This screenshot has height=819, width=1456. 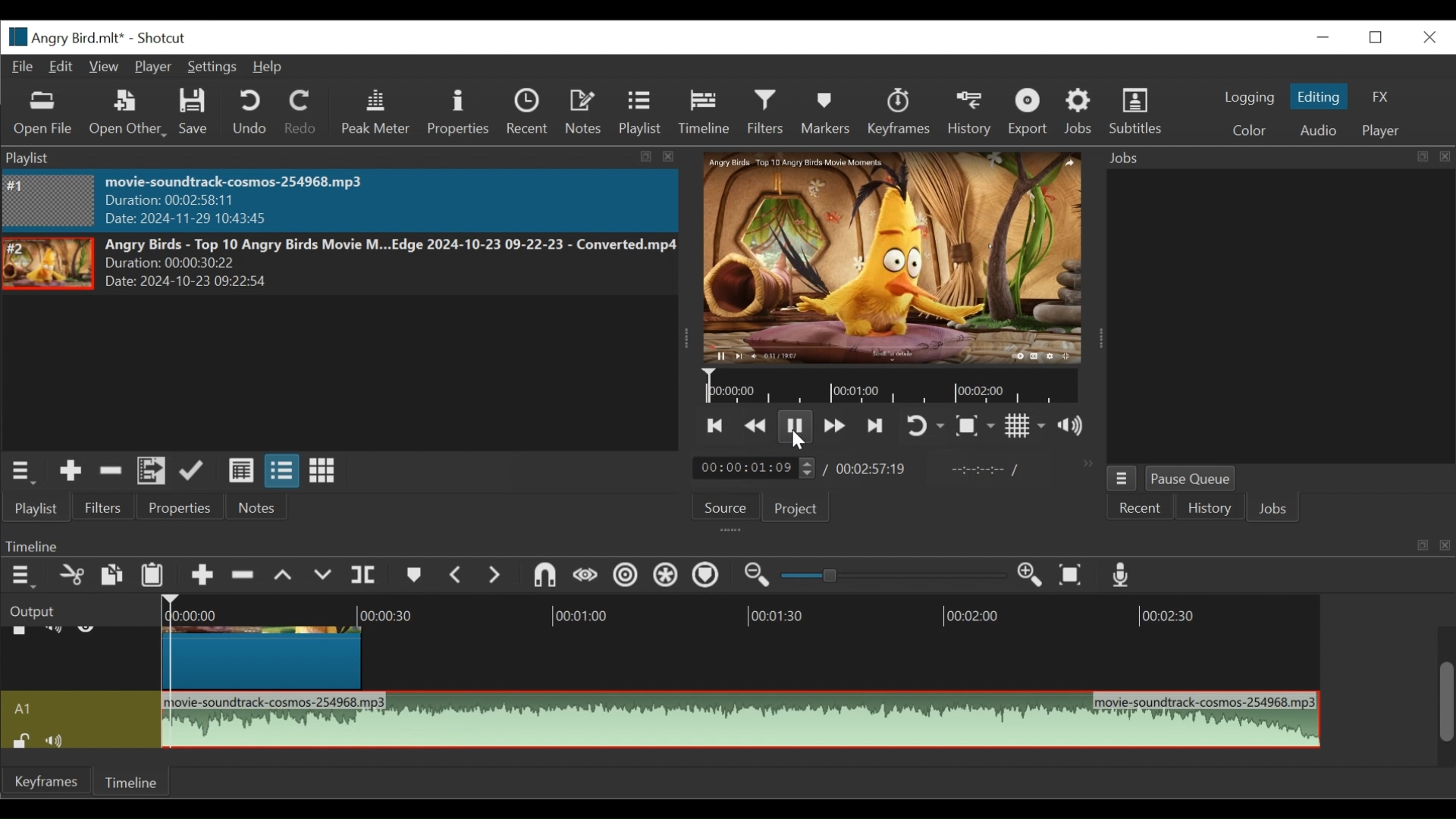 I want to click on Jobs Panel, so click(x=1265, y=317).